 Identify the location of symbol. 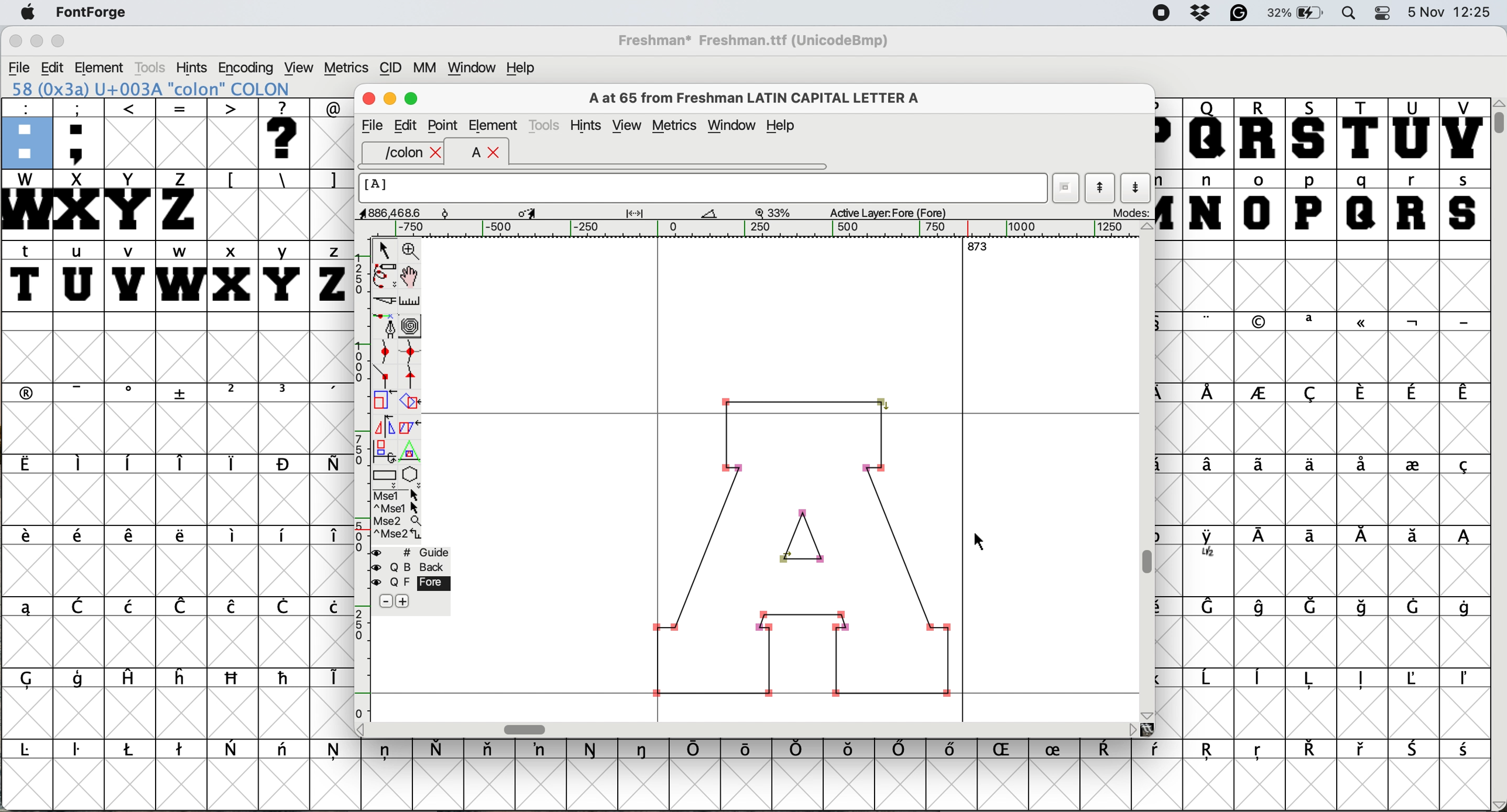
(1259, 753).